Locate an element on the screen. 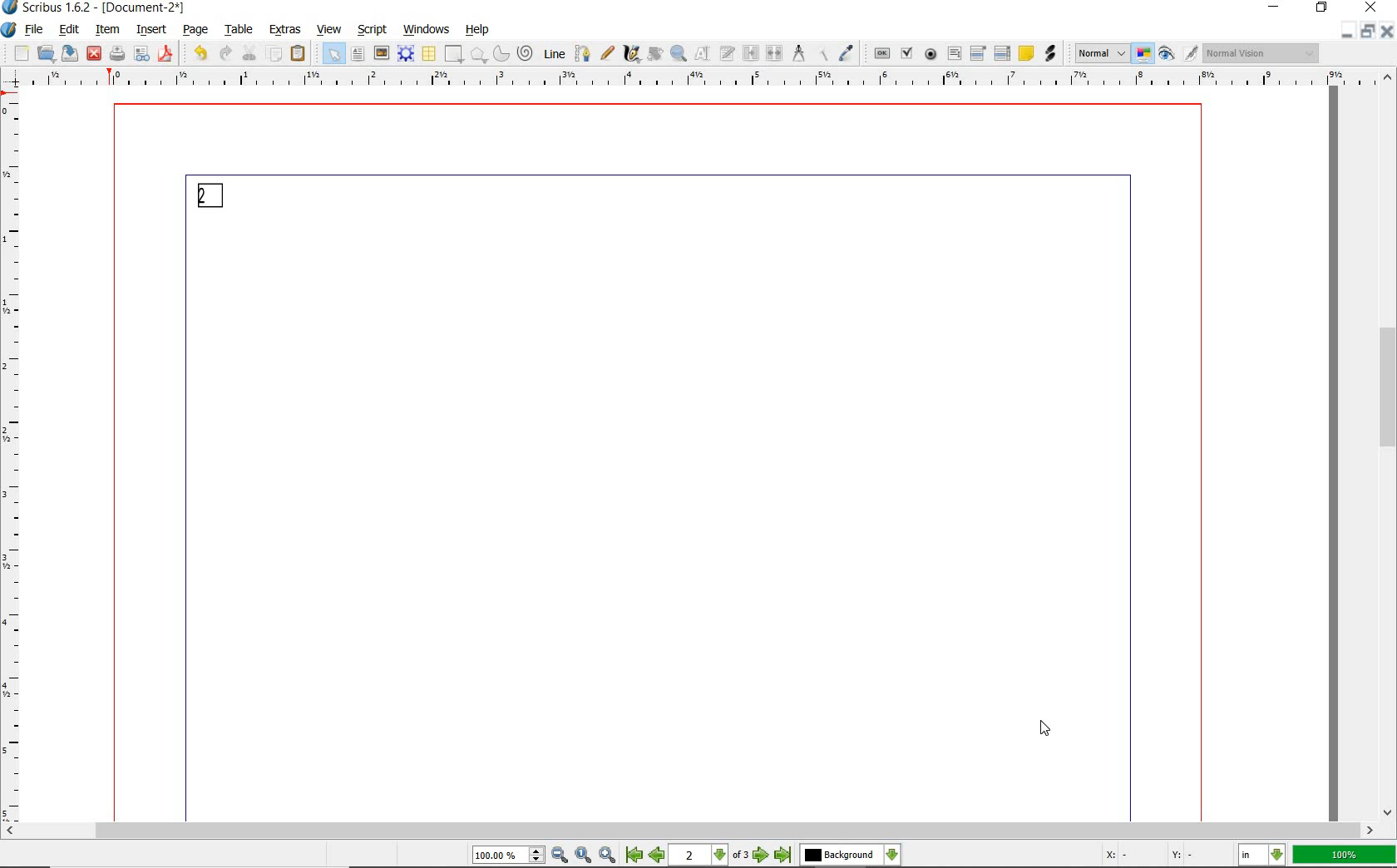 Image resolution: width=1397 pixels, height=868 pixels. scroll bar is located at coordinates (689, 832).